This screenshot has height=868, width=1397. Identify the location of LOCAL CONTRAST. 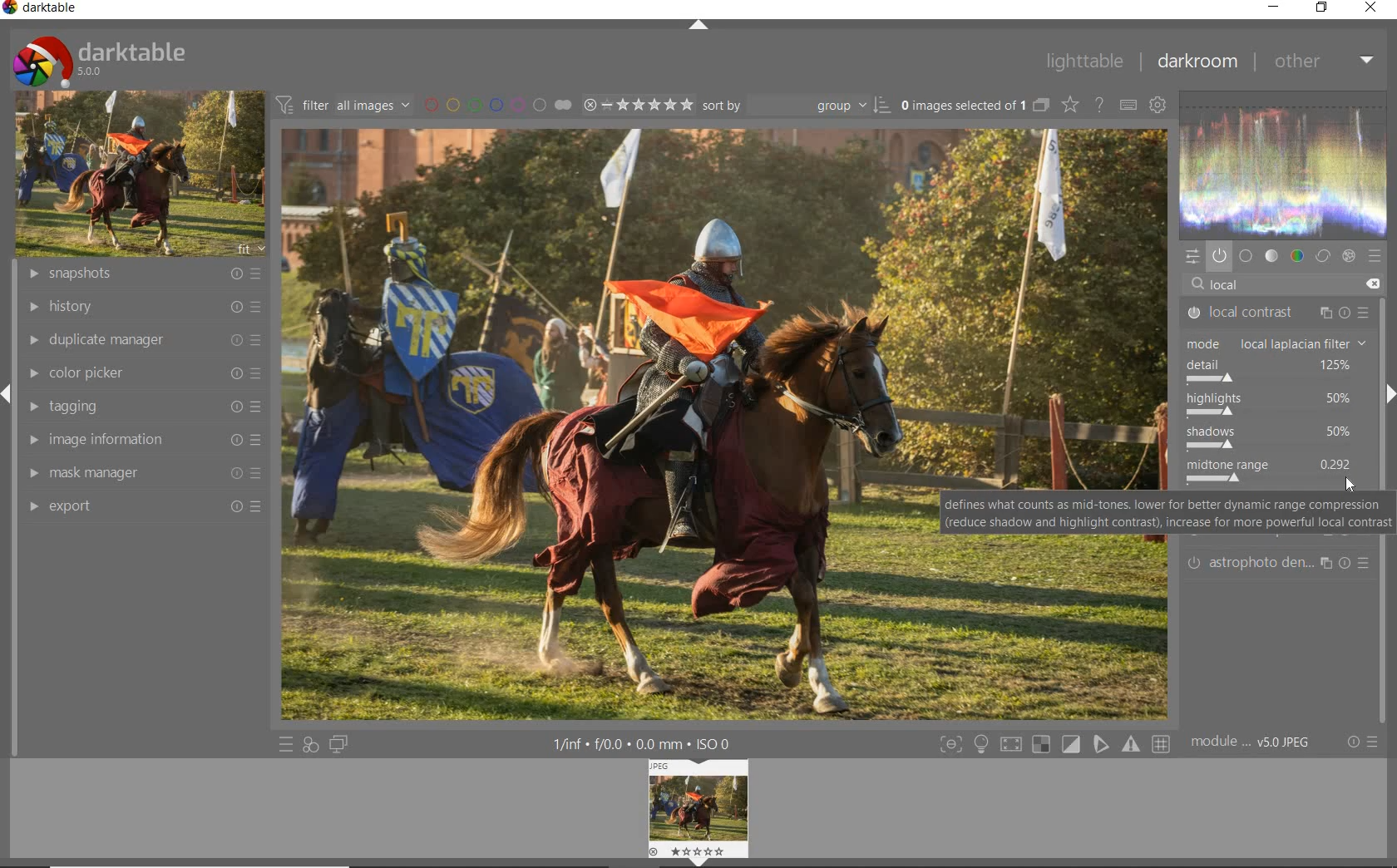
(1276, 313).